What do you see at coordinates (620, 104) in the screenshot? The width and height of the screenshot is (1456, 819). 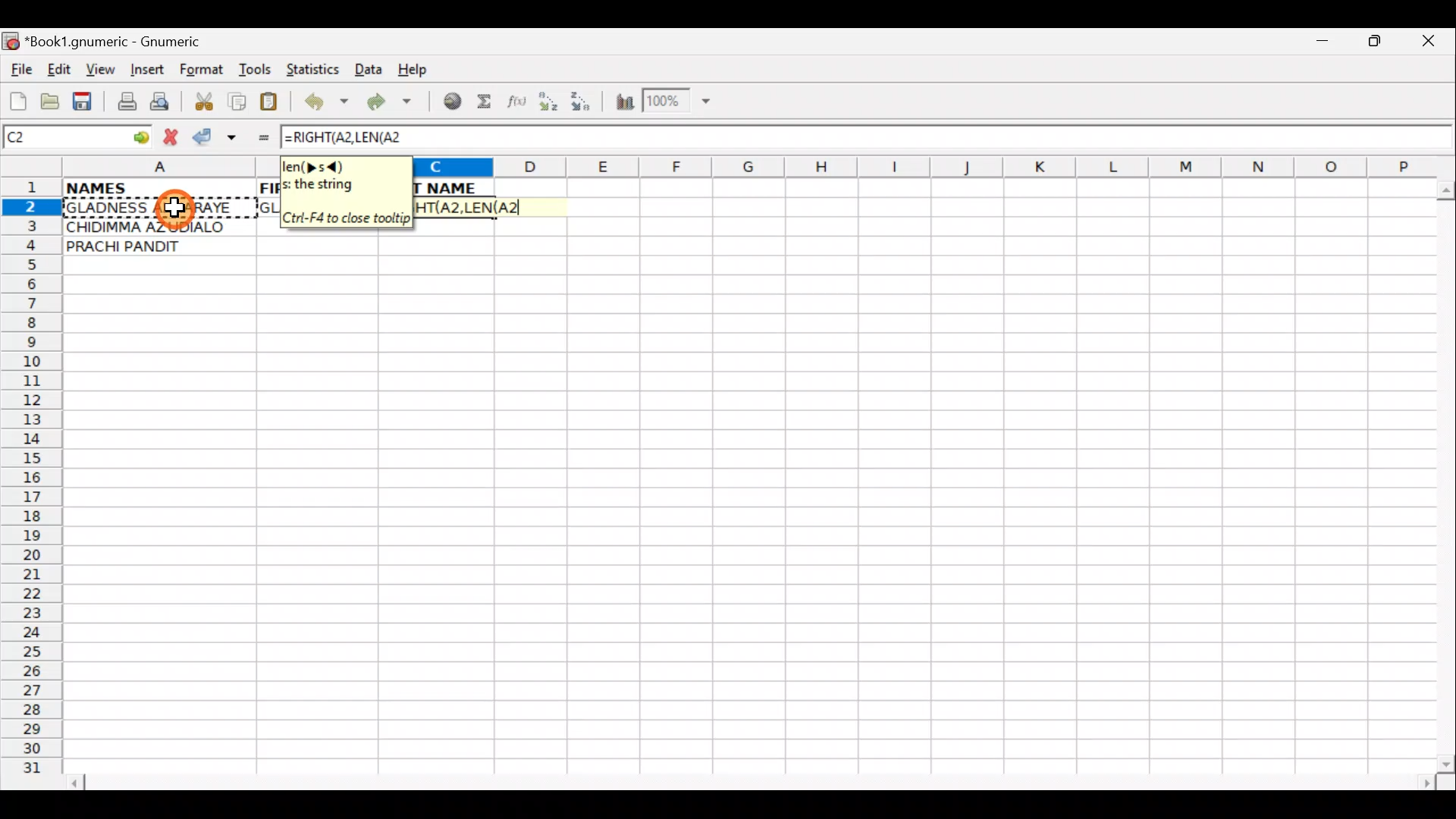 I see `Insert Chart` at bounding box center [620, 104].